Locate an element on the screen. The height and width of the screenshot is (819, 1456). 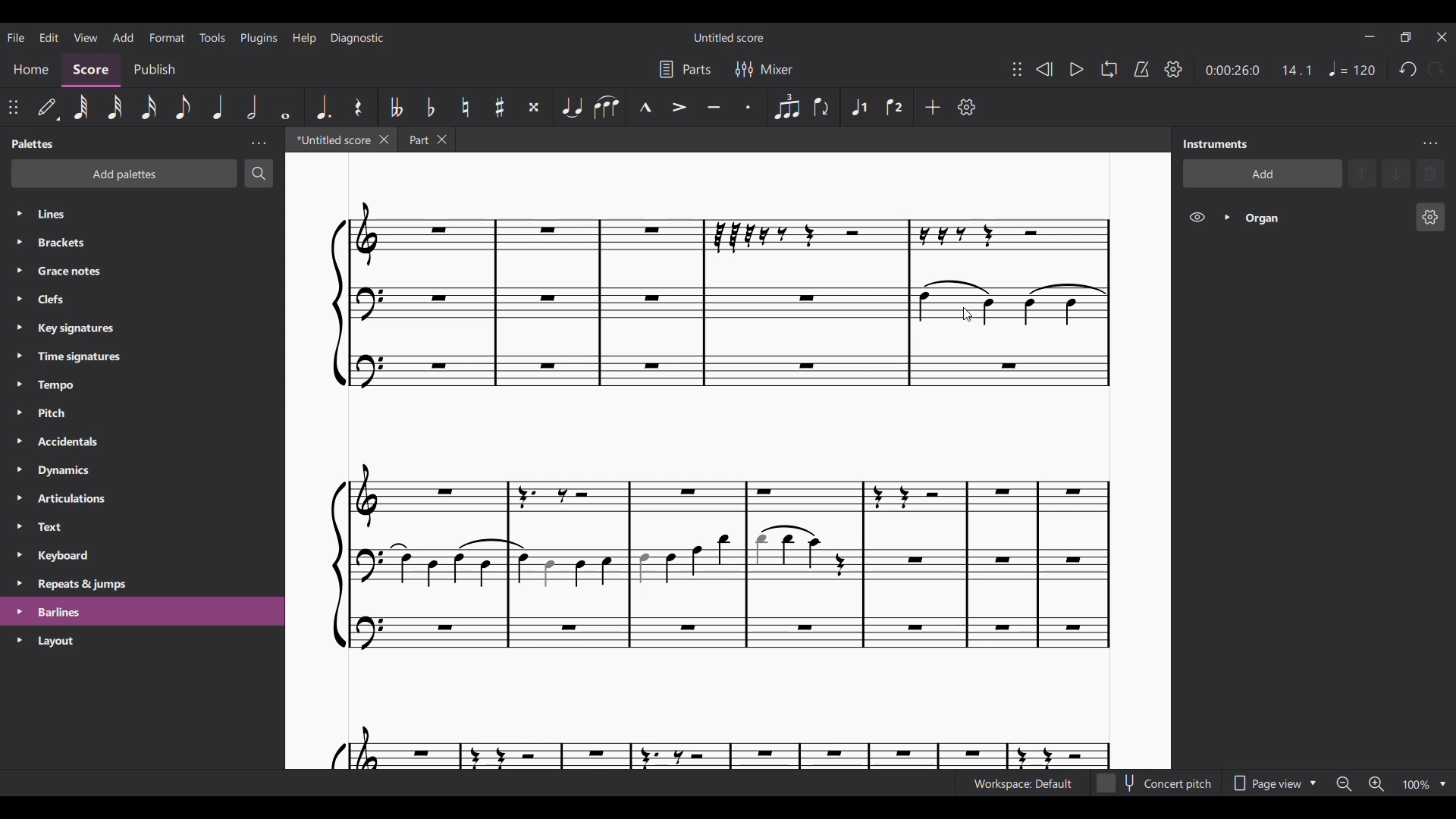
64th note is located at coordinates (80, 107).